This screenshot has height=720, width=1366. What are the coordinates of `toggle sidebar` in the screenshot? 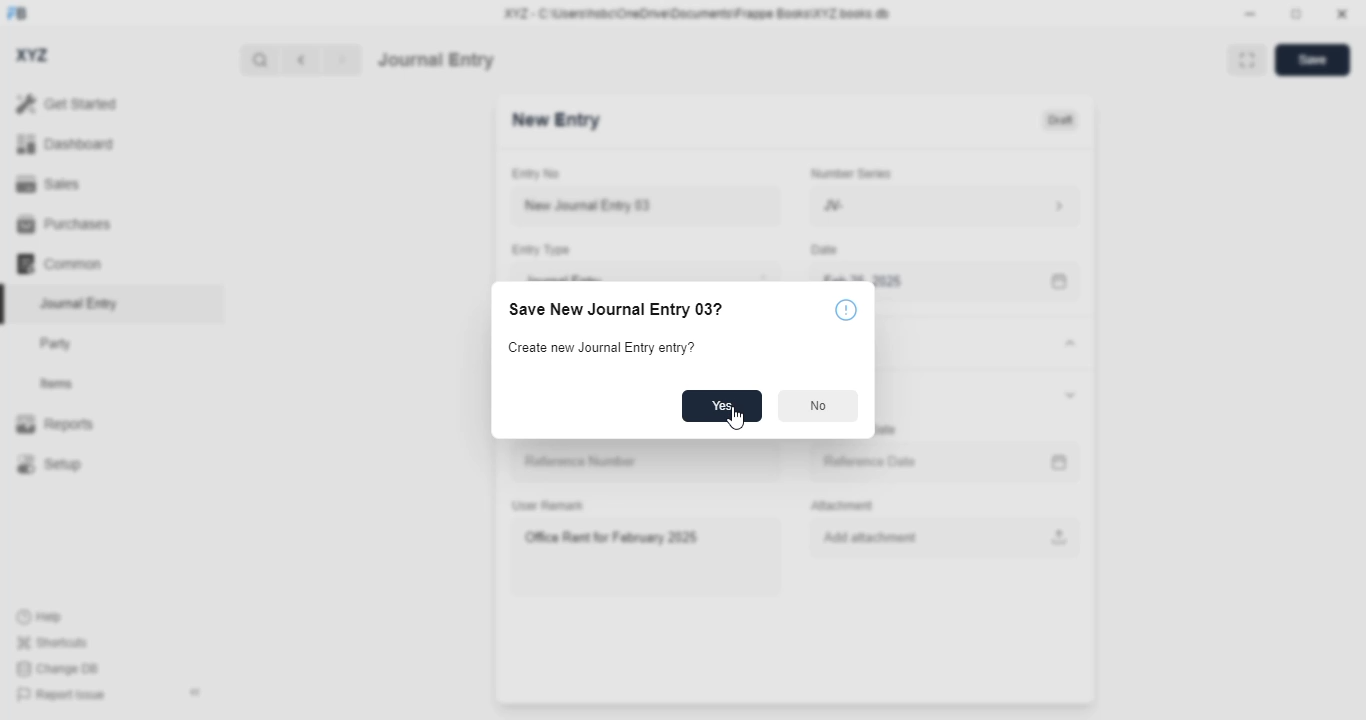 It's located at (197, 692).